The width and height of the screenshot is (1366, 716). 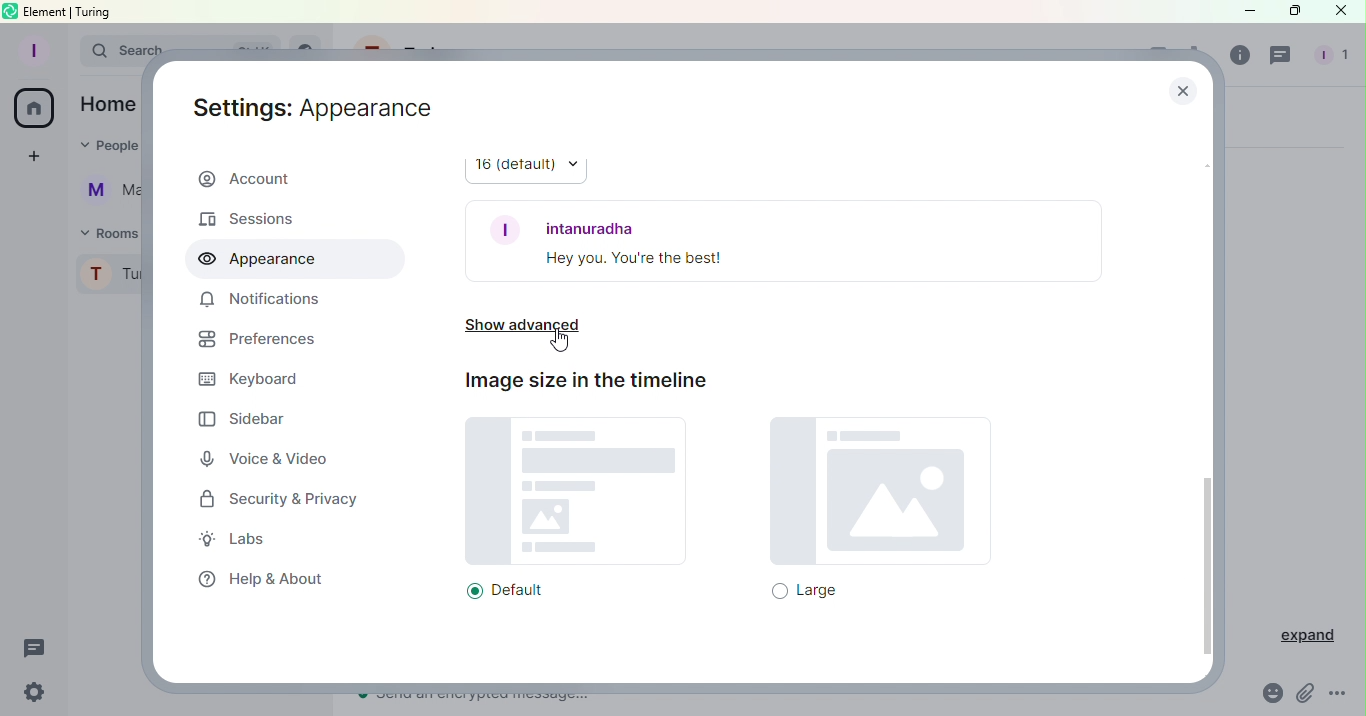 I want to click on Labs, so click(x=236, y=539).